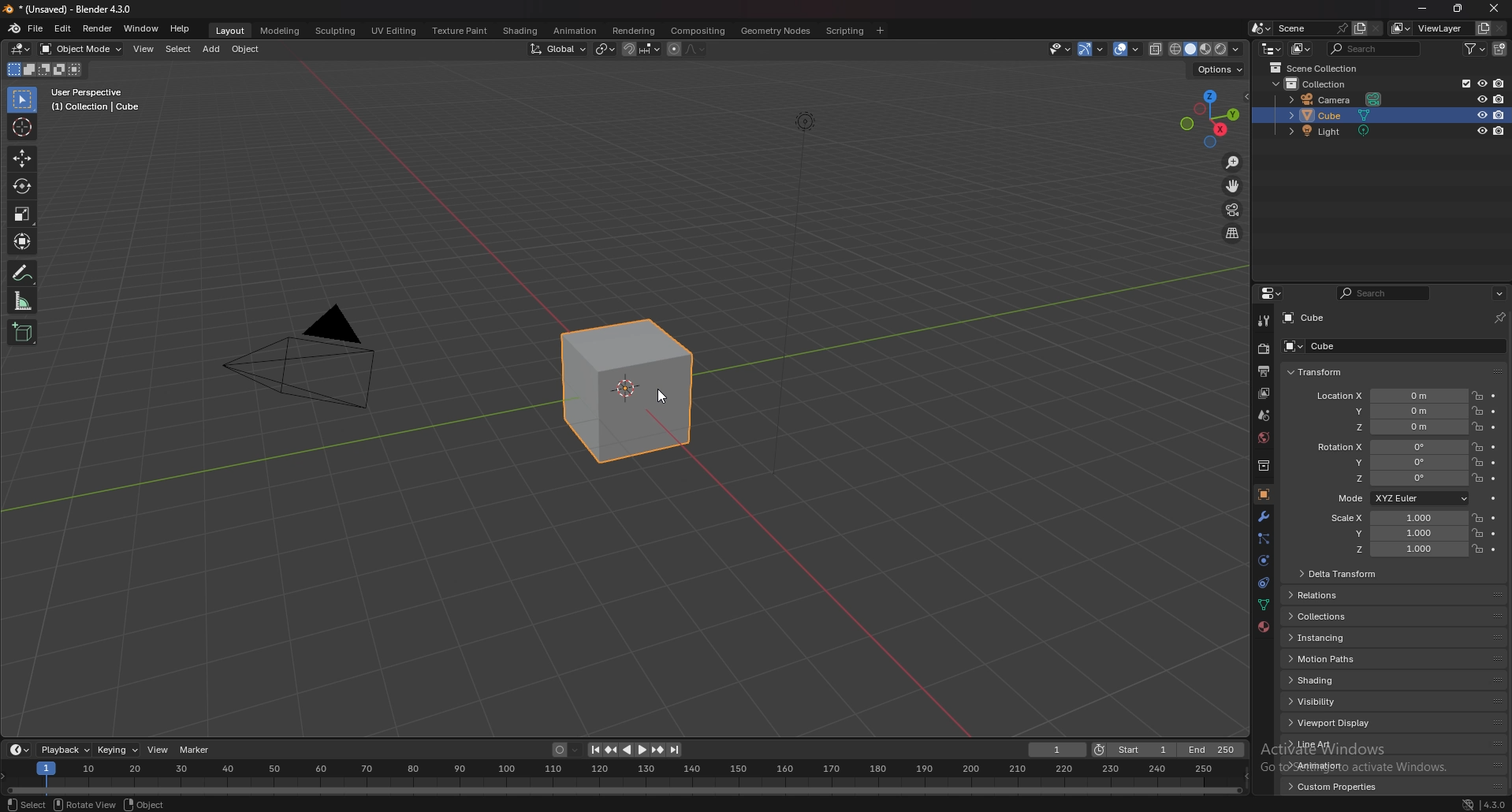 This screenshot has width=1512, height=812. What do you see at coordinates (1482, 99) in the screenshot?
I see `hide in viewport` at bounding box center [1482, 99].